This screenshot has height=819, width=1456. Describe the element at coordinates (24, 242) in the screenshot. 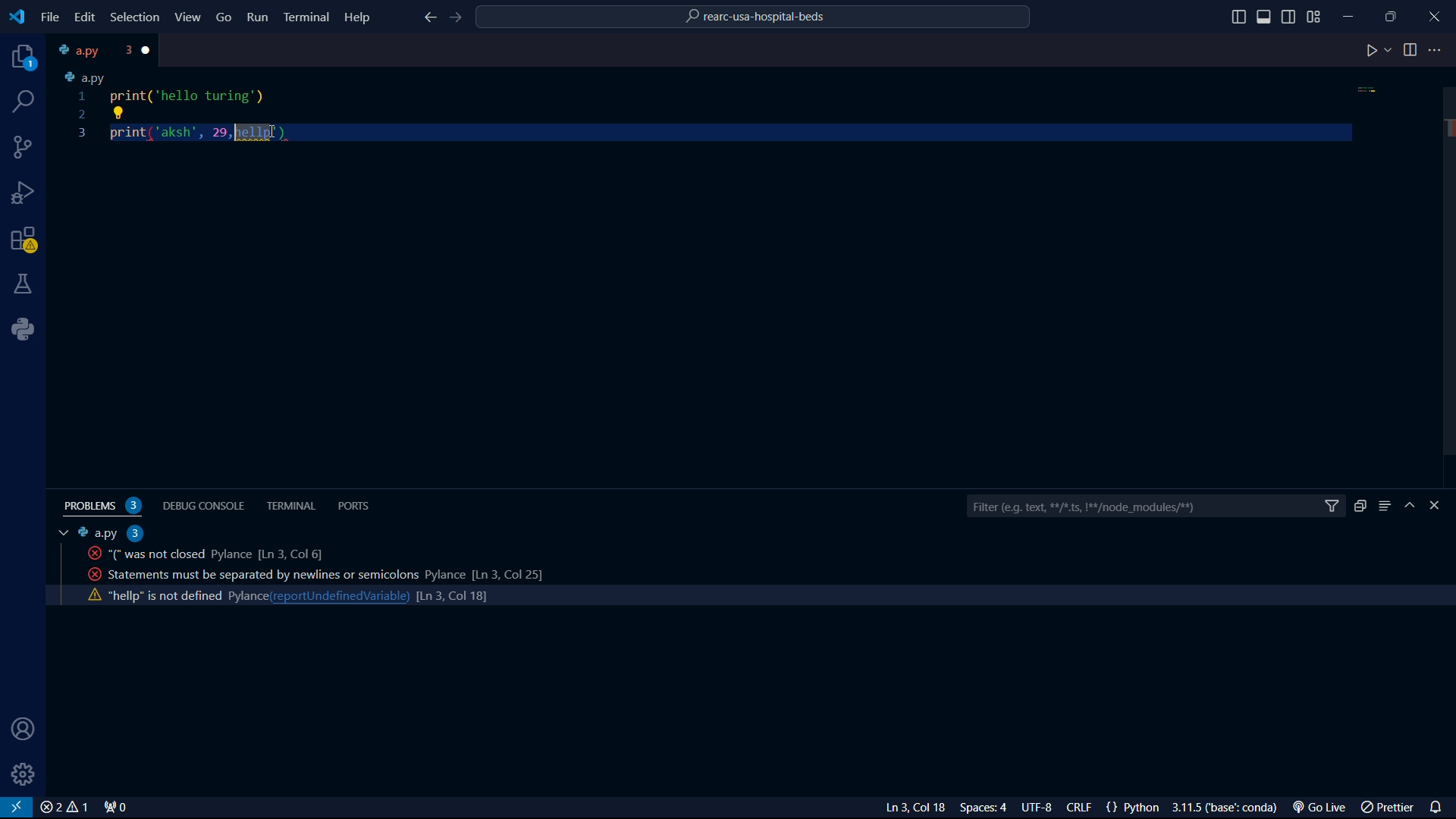

I see `warning` at that location.